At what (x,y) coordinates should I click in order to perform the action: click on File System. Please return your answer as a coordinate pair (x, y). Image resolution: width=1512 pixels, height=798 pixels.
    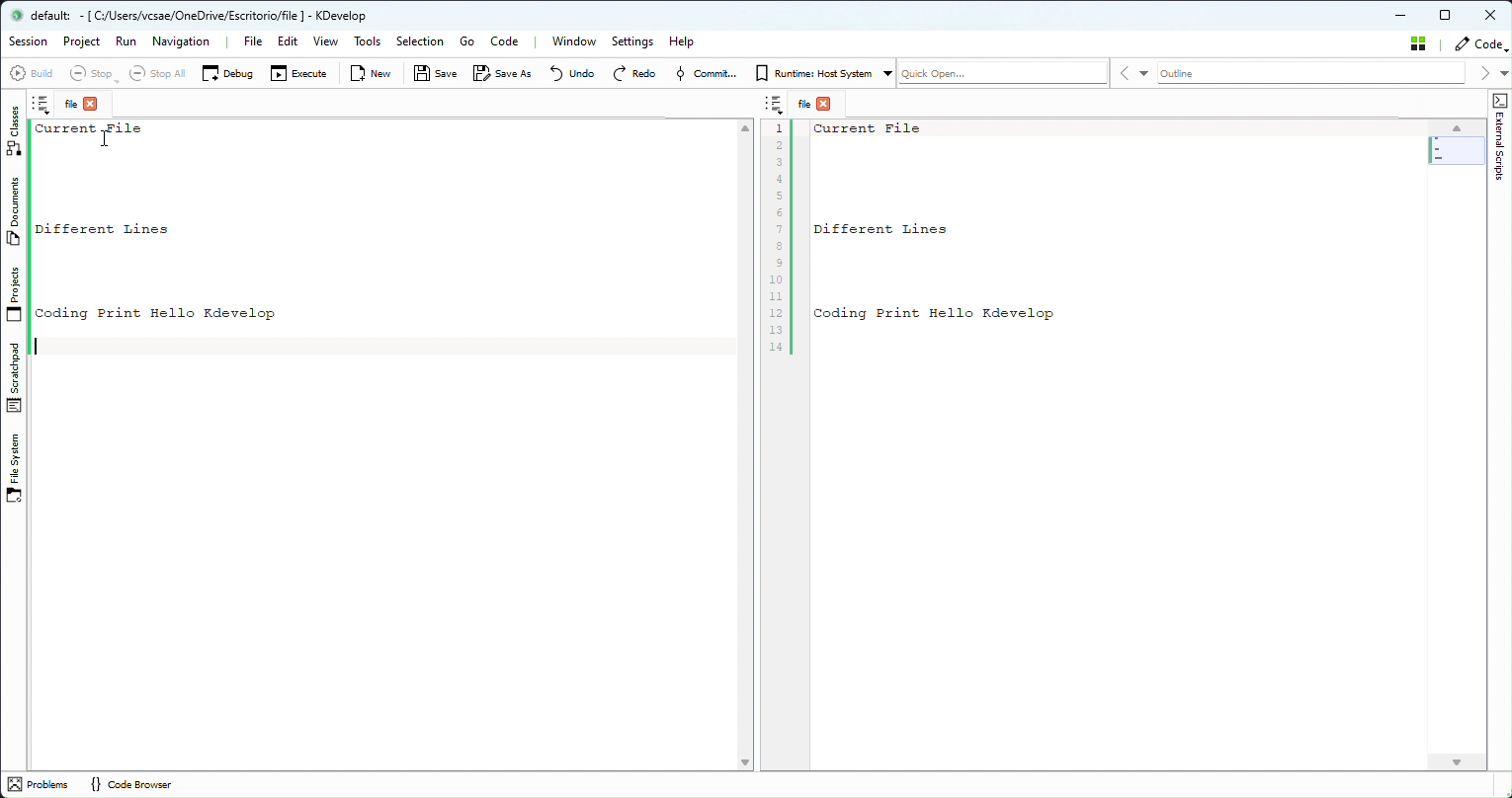
    Looking at the image, I should click on (16, 469).